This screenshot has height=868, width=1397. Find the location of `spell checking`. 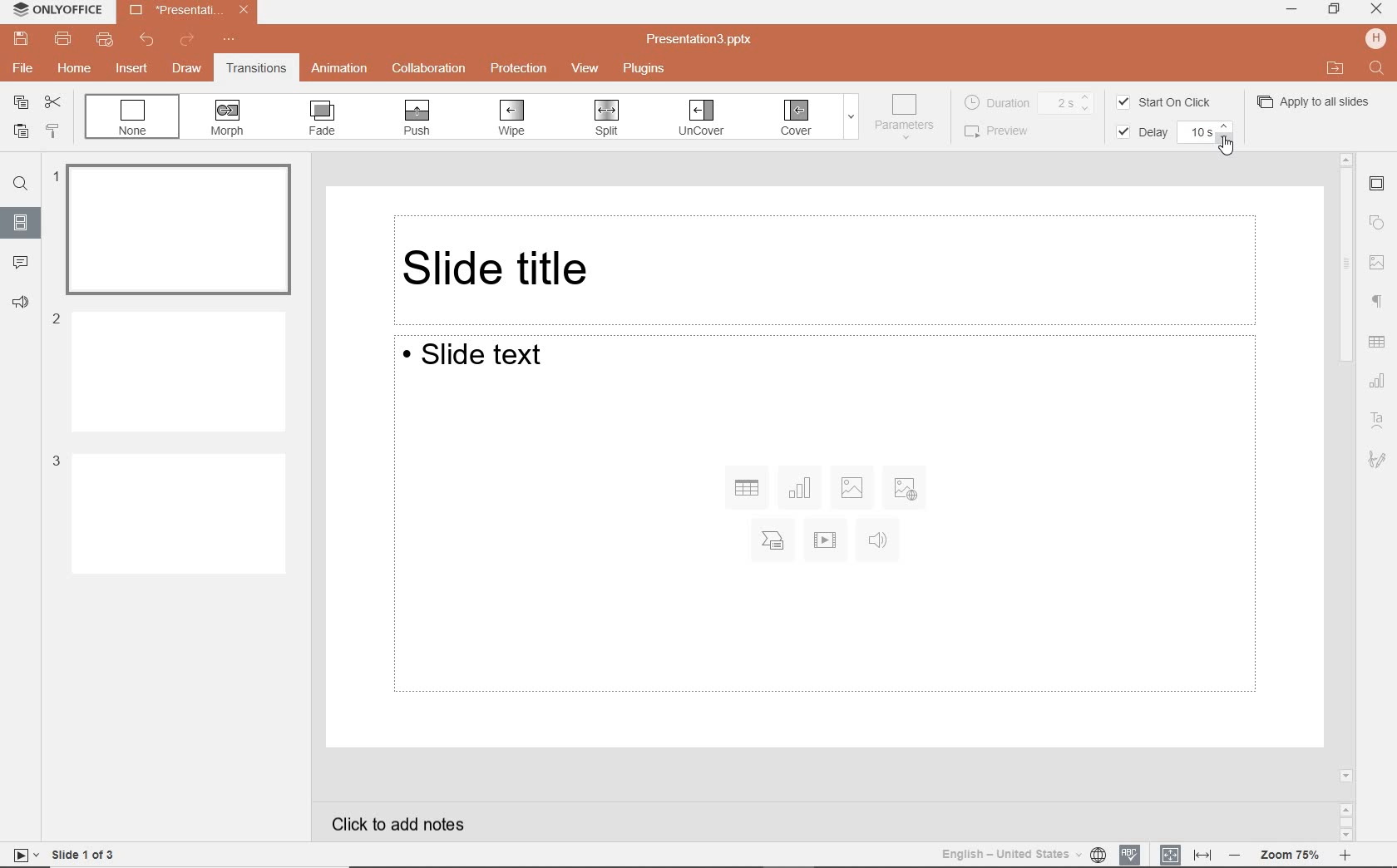

spell checking is located at coordinates (1129, 855).